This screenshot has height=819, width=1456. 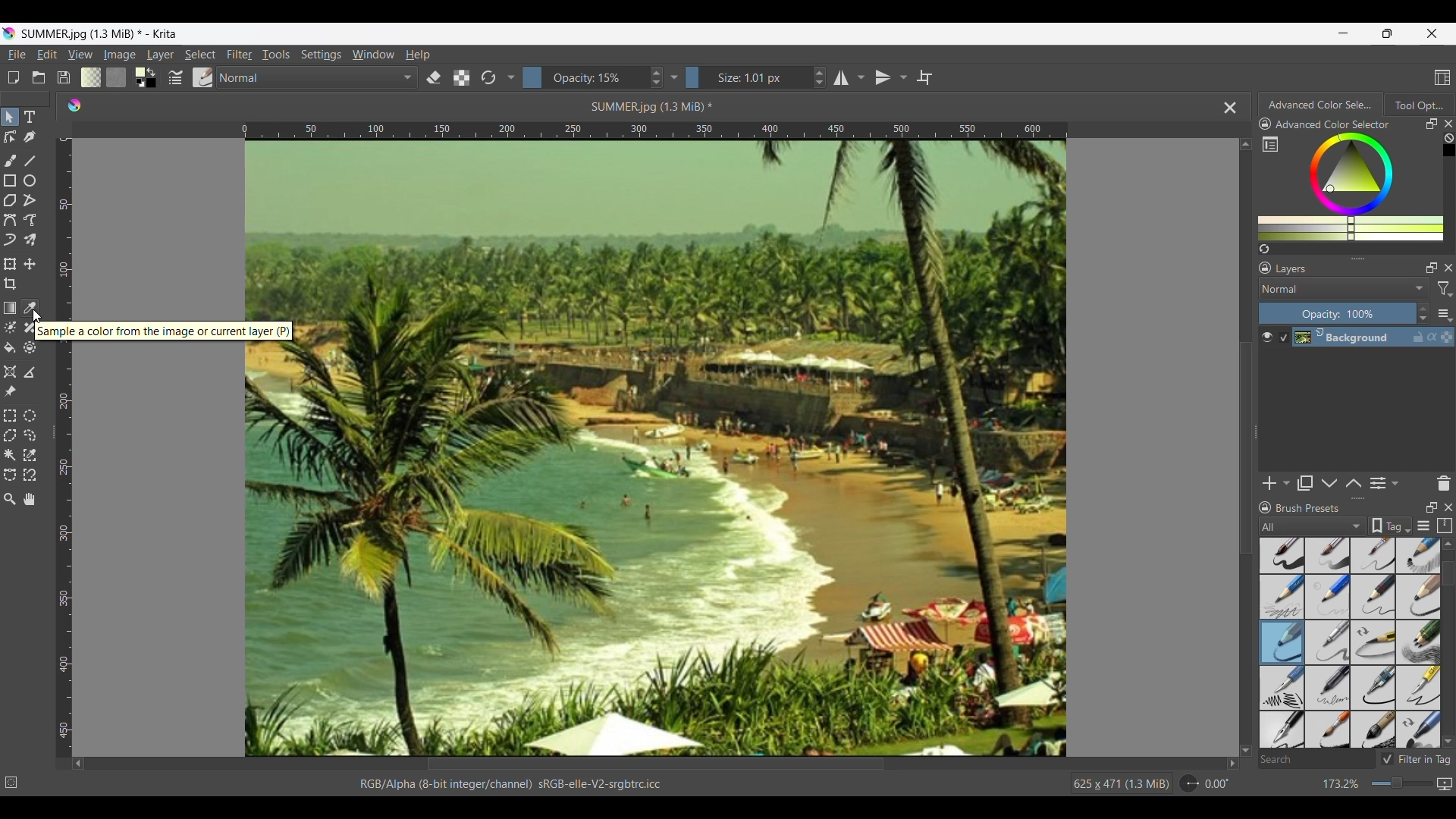 What do you see at coordinates (1246, 751) in the screenshot?
I see `Quick slide to bottom` at bounding box center [1246, 751].